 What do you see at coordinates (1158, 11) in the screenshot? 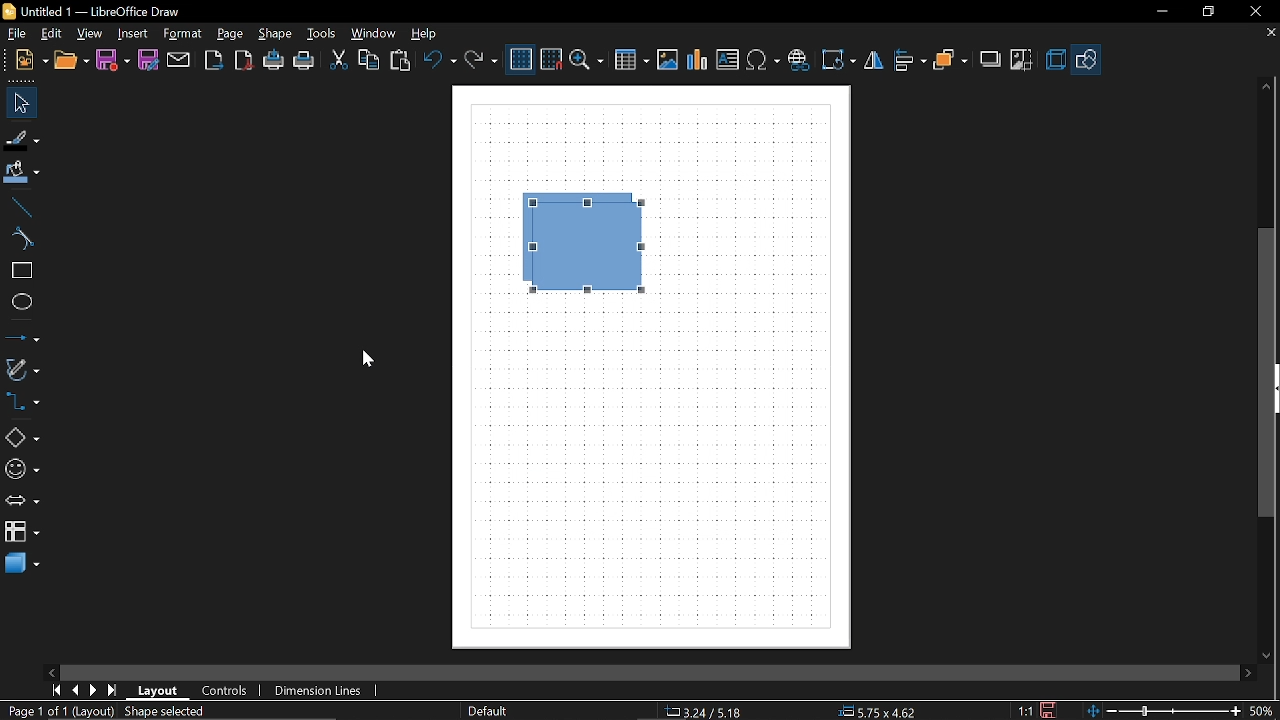
I see `Minimize` at bounding box center [1158, 11].